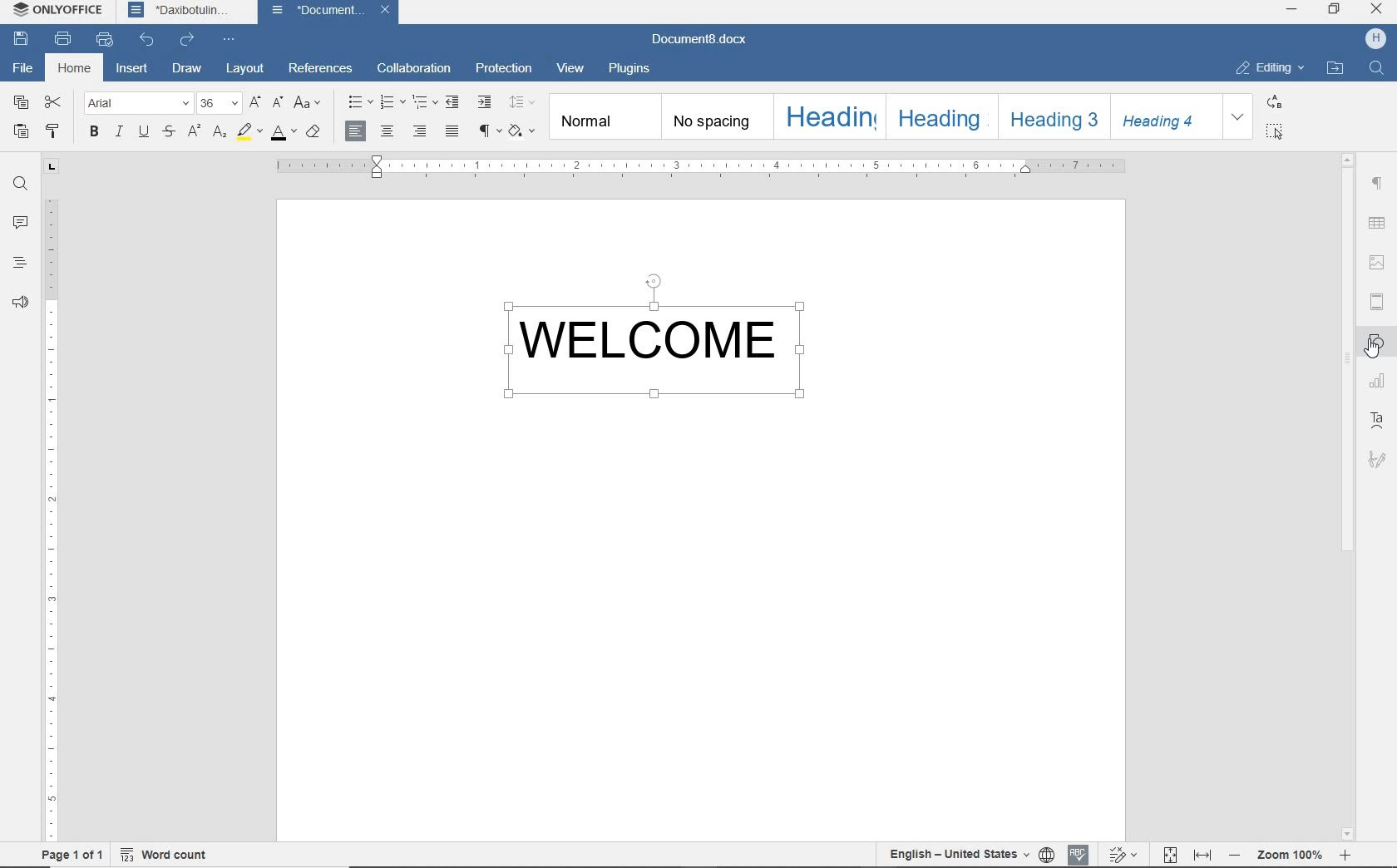  What do you see at coordinates (193, 131) in the screenshot?
I see `SUPERSCRIPT` at bounding box center [193, 131].